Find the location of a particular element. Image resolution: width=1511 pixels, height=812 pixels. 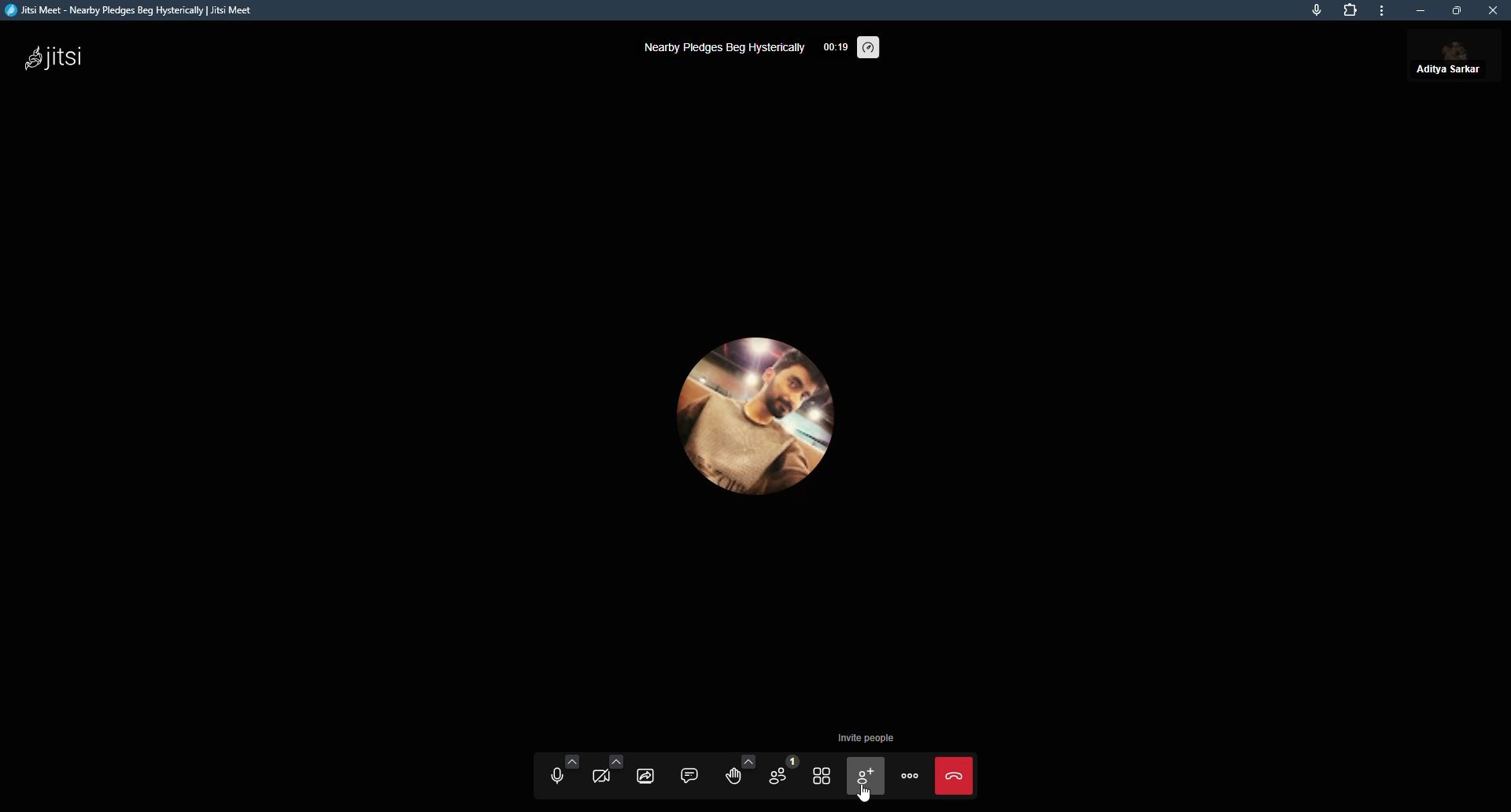

maximize is located at coordinates (1455, 10).